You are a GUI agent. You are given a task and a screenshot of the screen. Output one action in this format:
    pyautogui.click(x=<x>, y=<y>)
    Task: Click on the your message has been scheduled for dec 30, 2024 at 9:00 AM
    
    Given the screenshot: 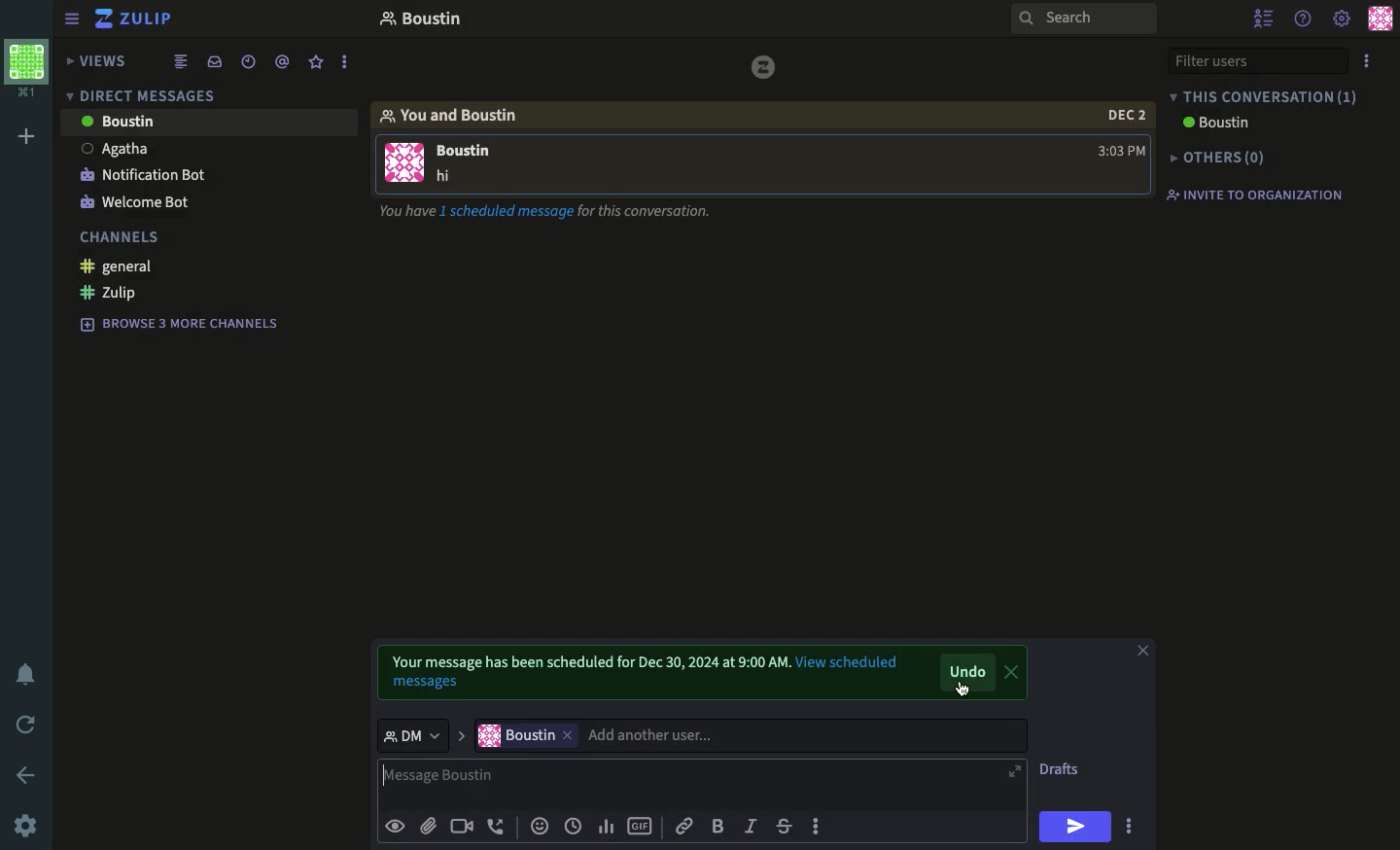 What is the action you would take?
    pyautogui.click(x=583, y=660)
    